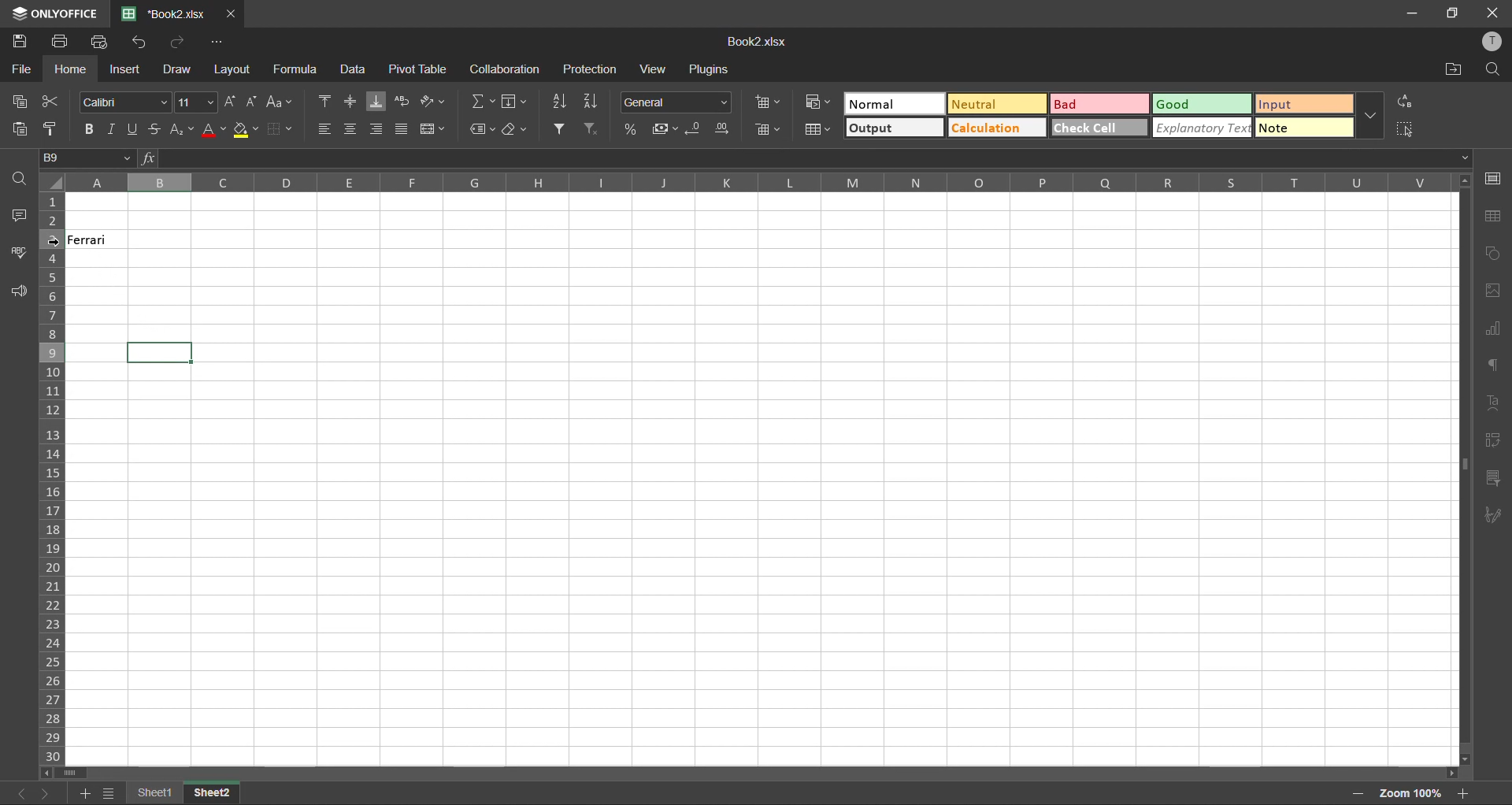 Image resolution: width=1512 pixels, height=805 pixels. What do you see at coordinates (55, 129) in the screenshot?
I see `copy style` at bounding box center [55, 129].